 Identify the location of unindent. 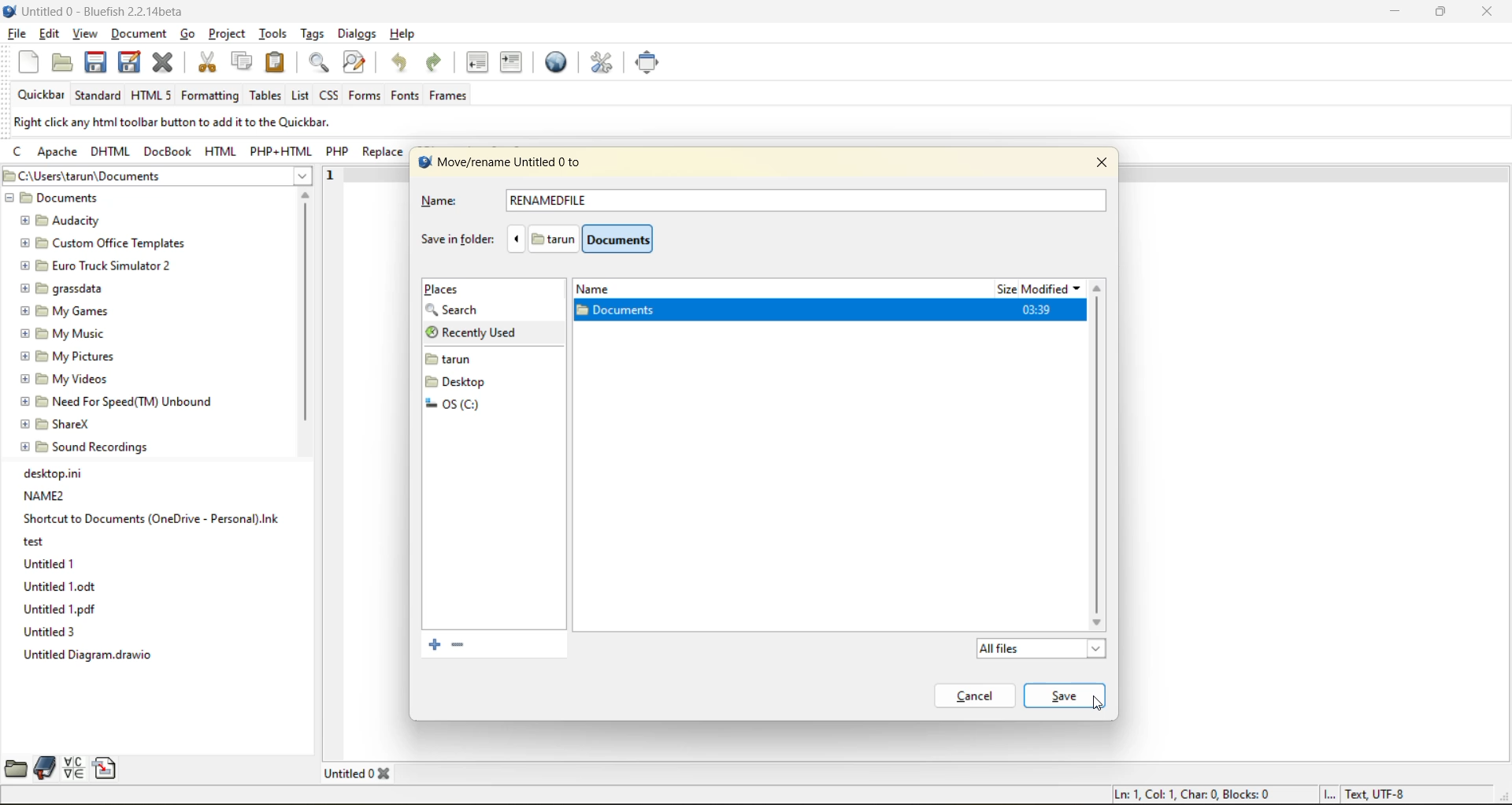
(480, 62).